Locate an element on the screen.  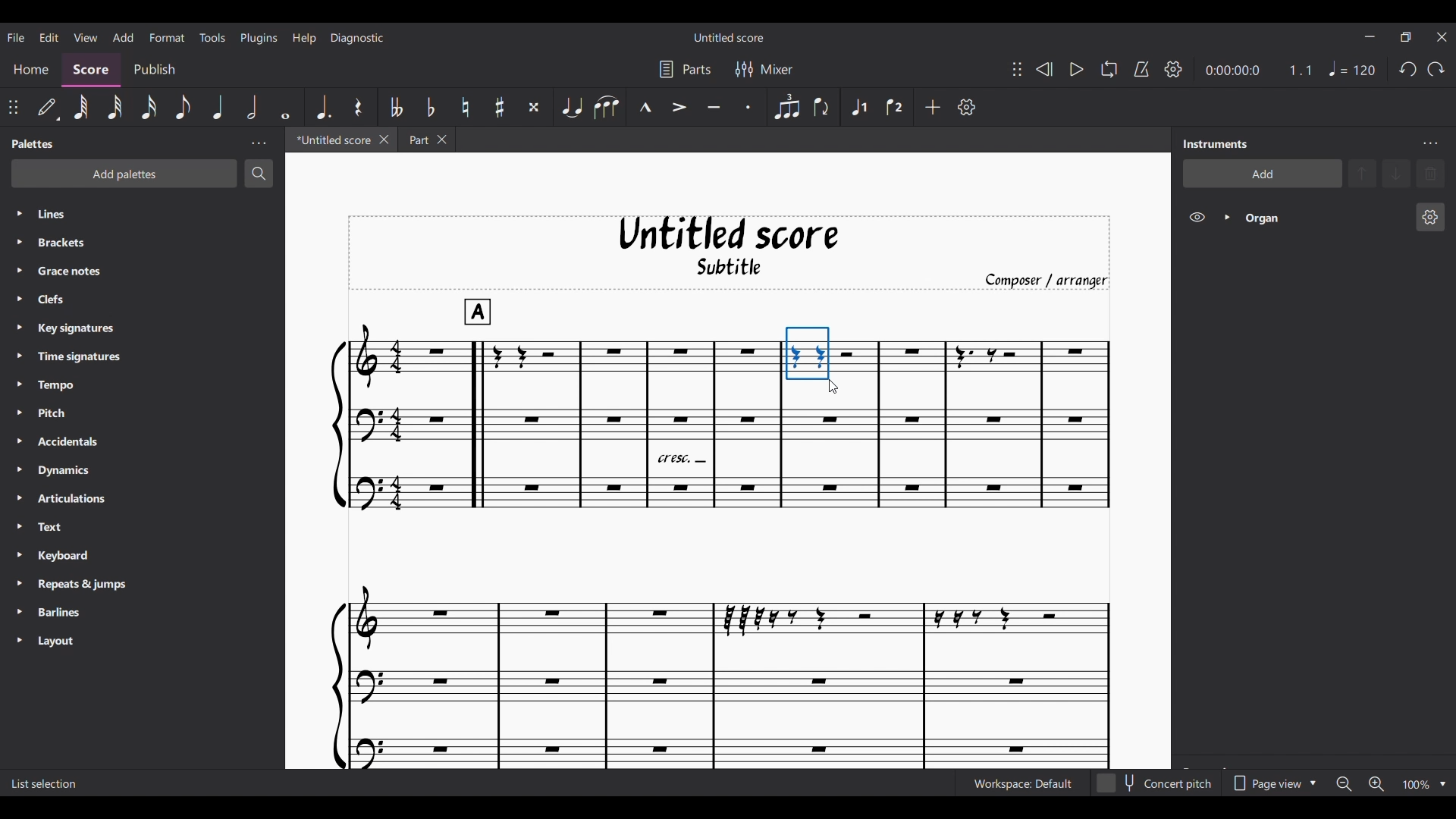
Toggle natural is located at coordinates (465, 108).